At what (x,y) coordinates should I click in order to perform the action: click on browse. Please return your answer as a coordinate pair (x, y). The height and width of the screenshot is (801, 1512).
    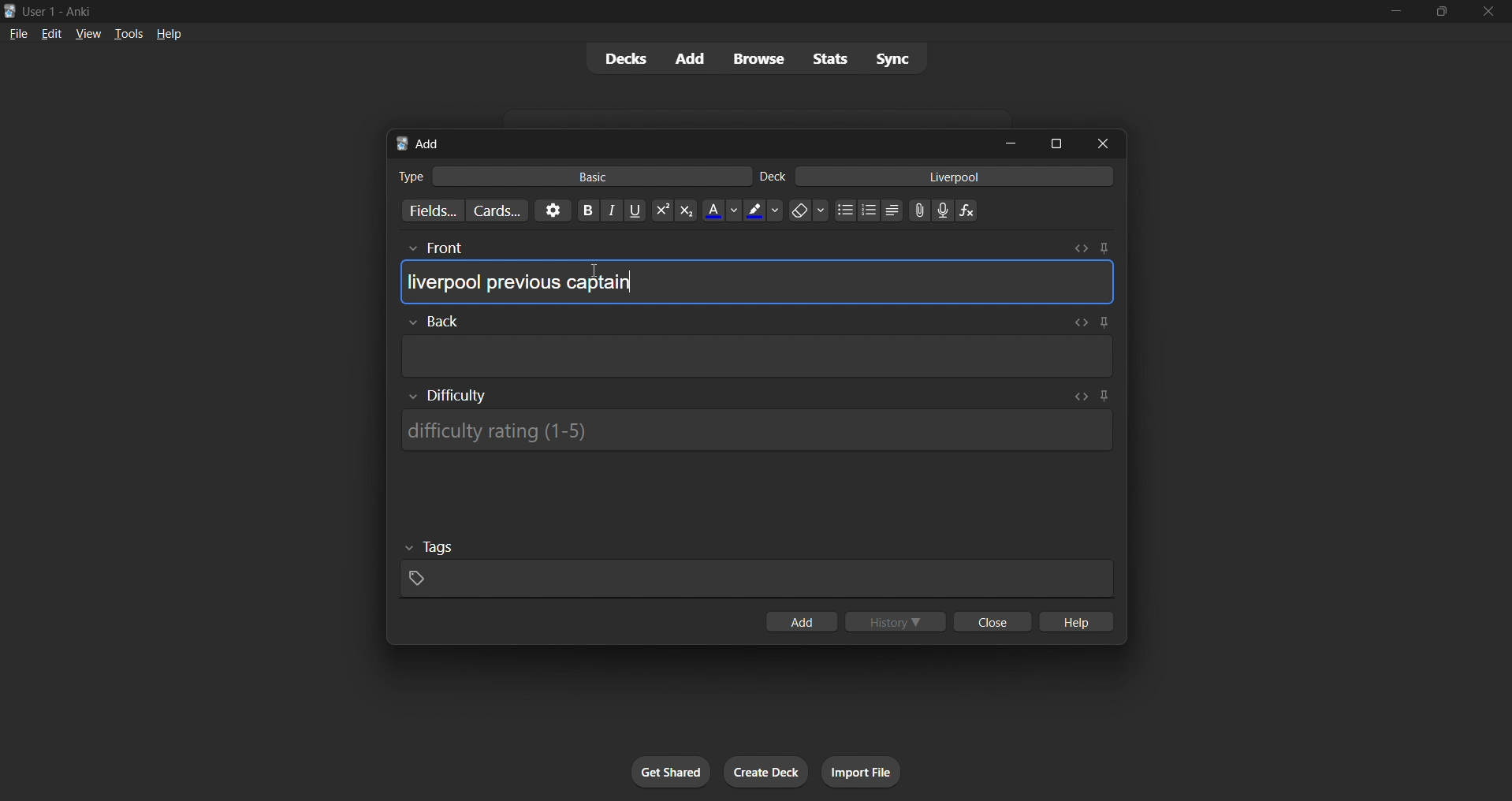
    Looking at the image, I should click on (755, 58).